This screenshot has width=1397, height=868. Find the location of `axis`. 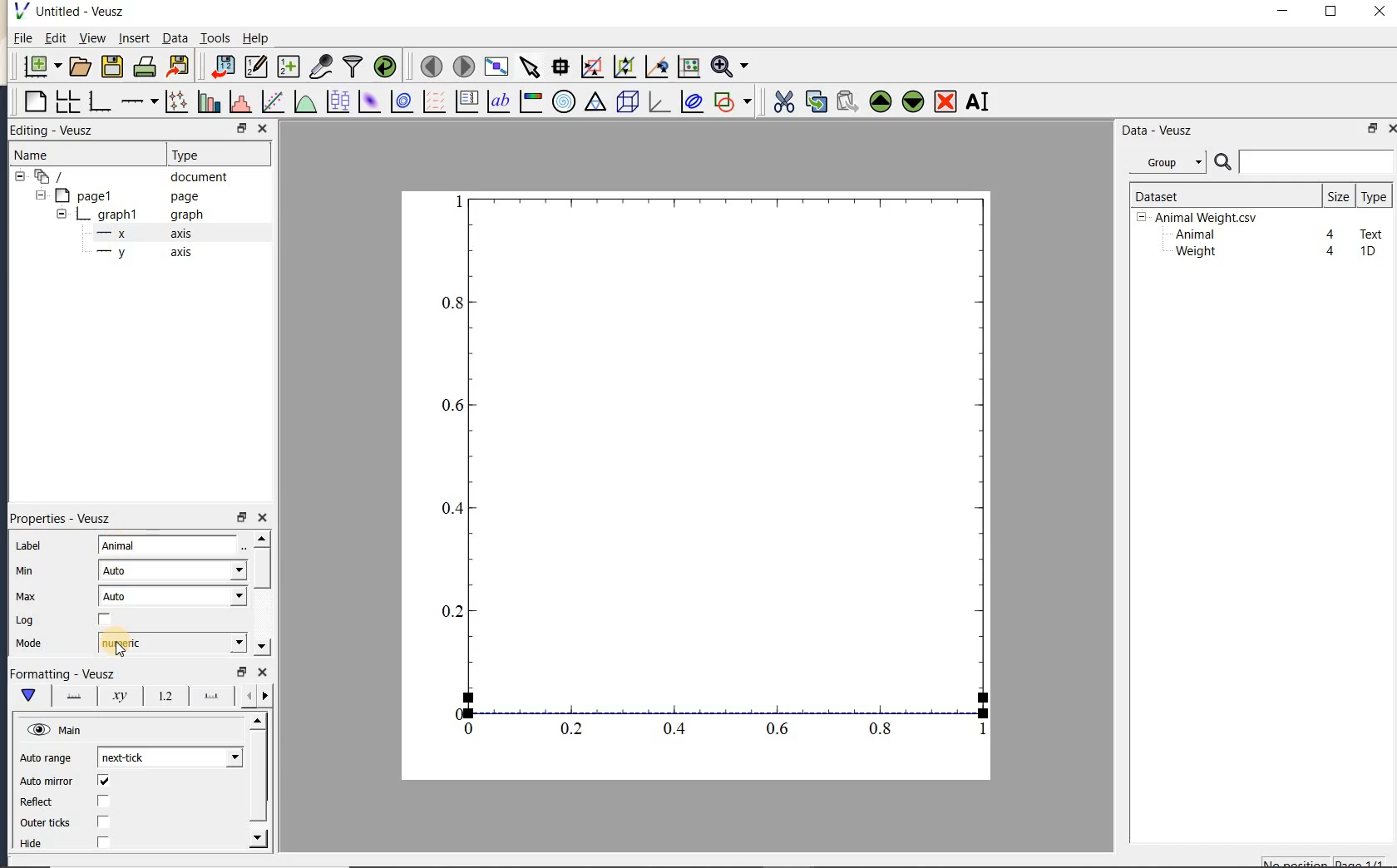

axis is located at coordinates (141, 253).